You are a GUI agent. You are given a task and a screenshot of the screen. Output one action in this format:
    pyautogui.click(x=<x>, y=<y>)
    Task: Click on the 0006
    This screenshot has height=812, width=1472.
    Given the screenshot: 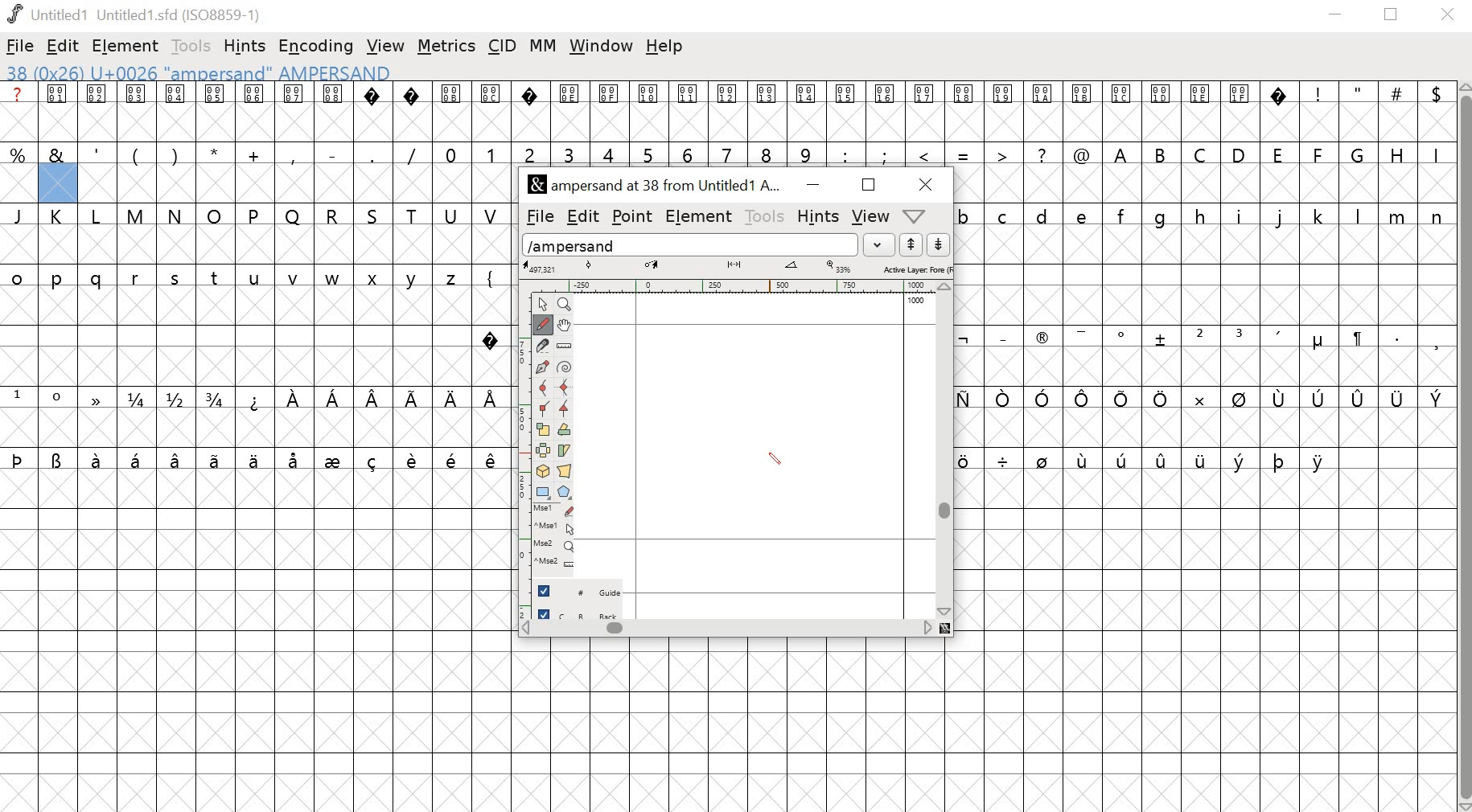 What is the action you would take?
    pyautogui.click(x=255, y=112)
    